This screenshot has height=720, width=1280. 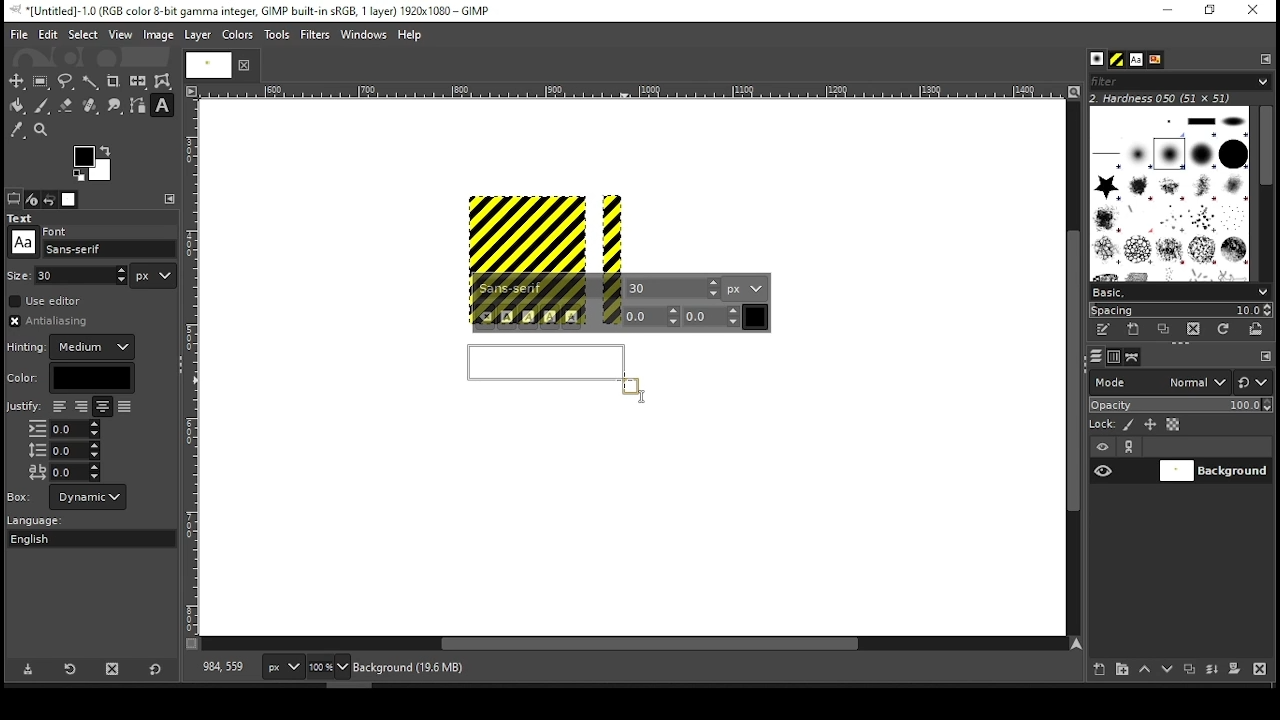 I want to click on filled, so click(x=124, y=408).